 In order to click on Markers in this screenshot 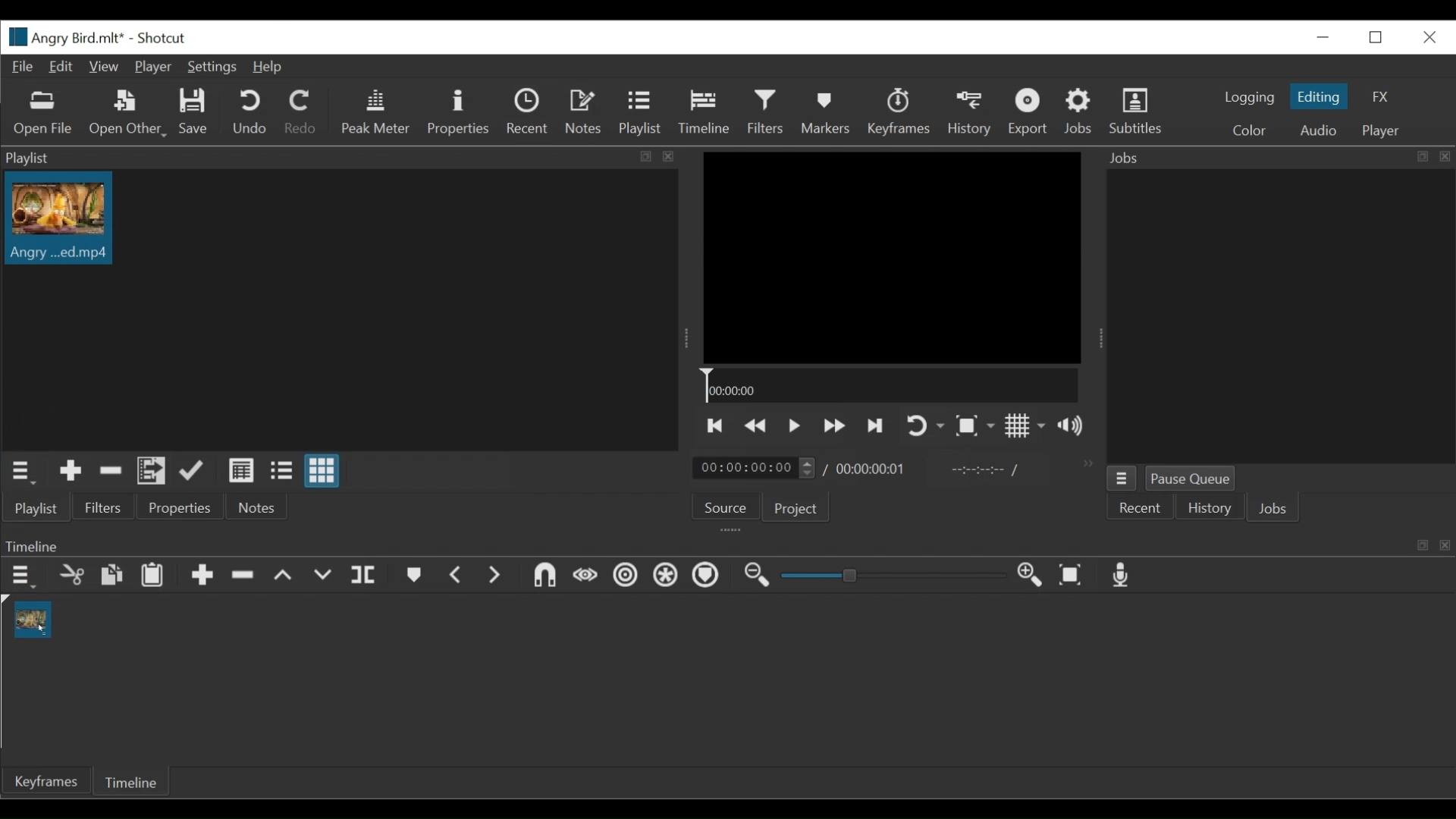, I will do `click(827, 111)`.